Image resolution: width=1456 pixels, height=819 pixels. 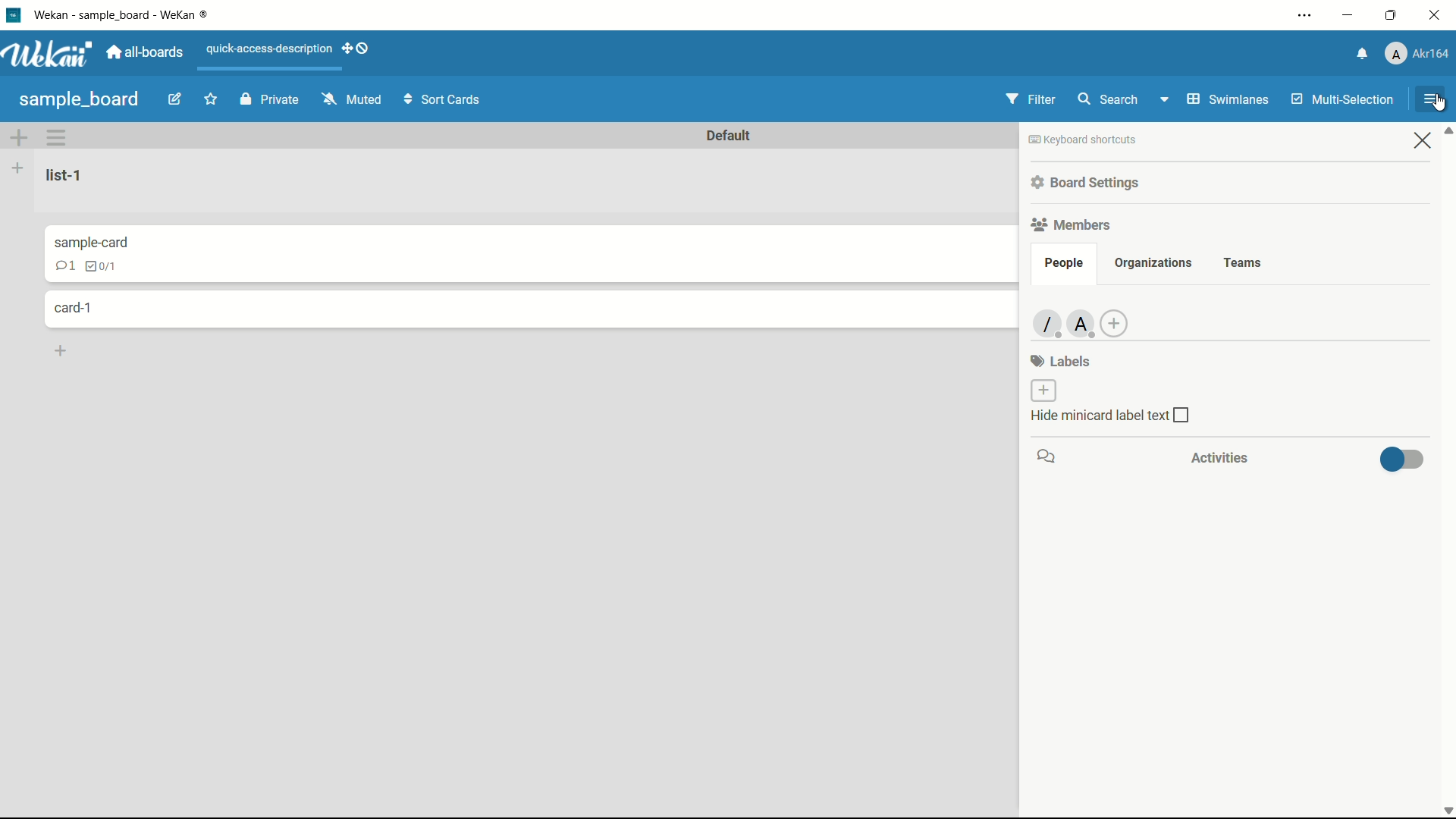 I want to click on Default, so click(x=729, y=133).